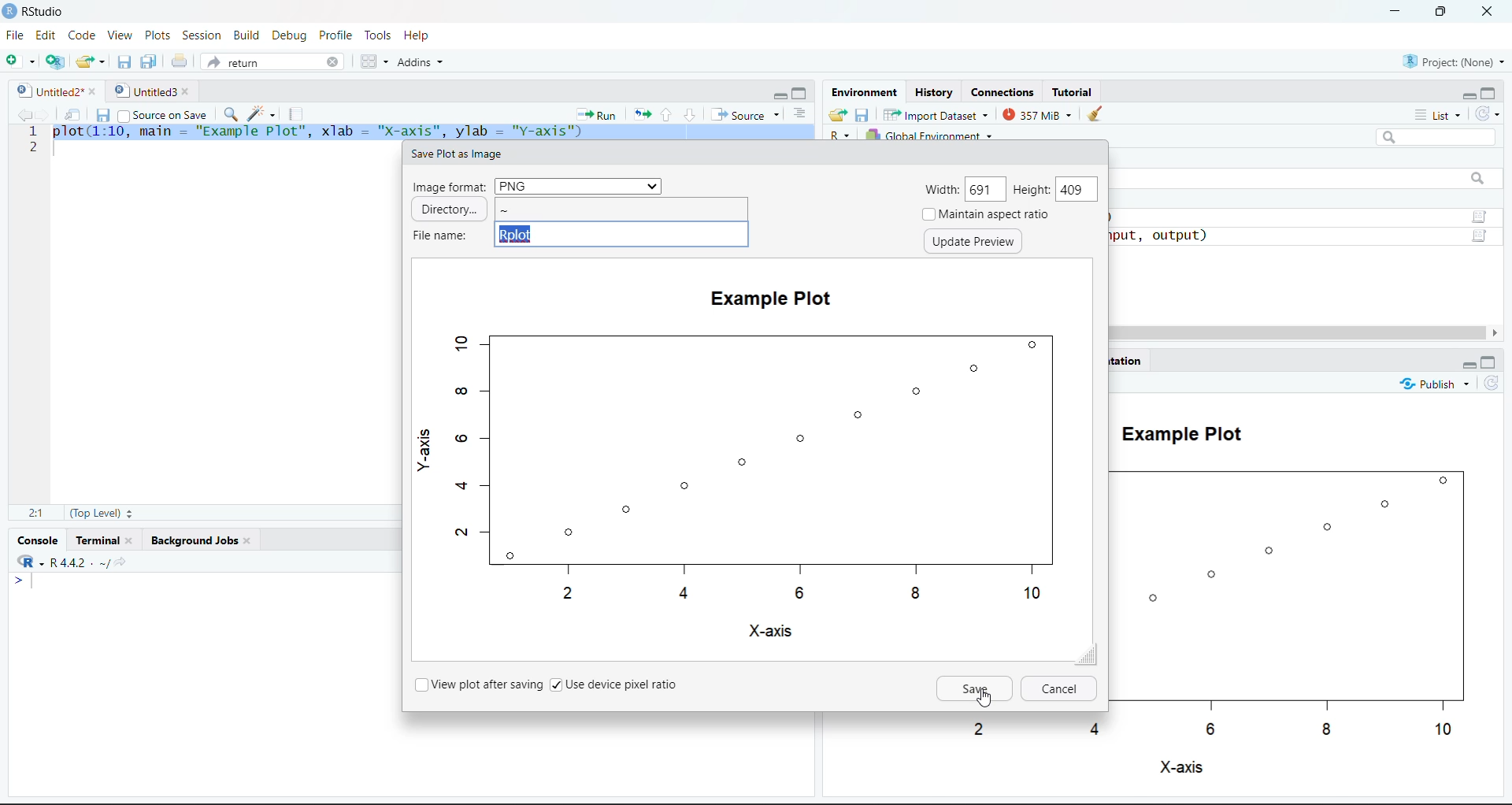 The image size is (1512, 805). Describe the element at coordinates (229, 113) in the screenshot. I see `Find/Replace` at that location.